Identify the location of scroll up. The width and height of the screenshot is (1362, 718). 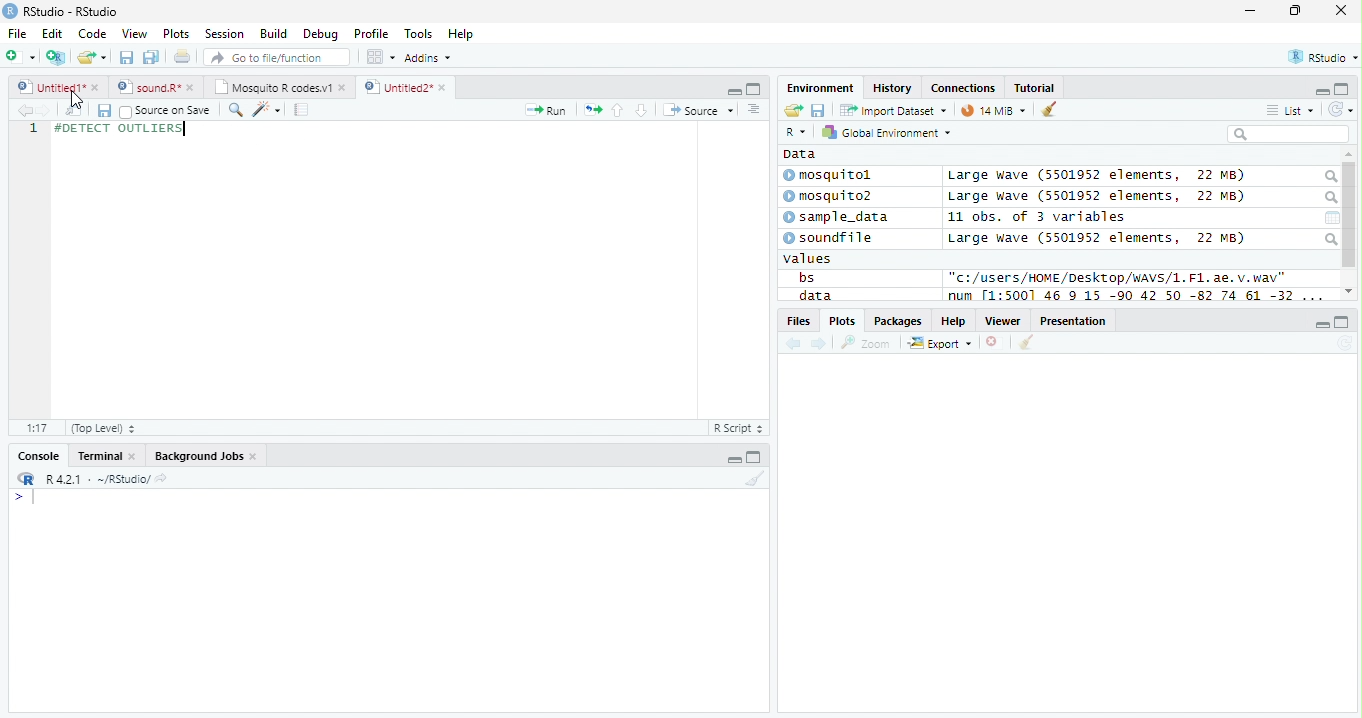
(1349, 155).